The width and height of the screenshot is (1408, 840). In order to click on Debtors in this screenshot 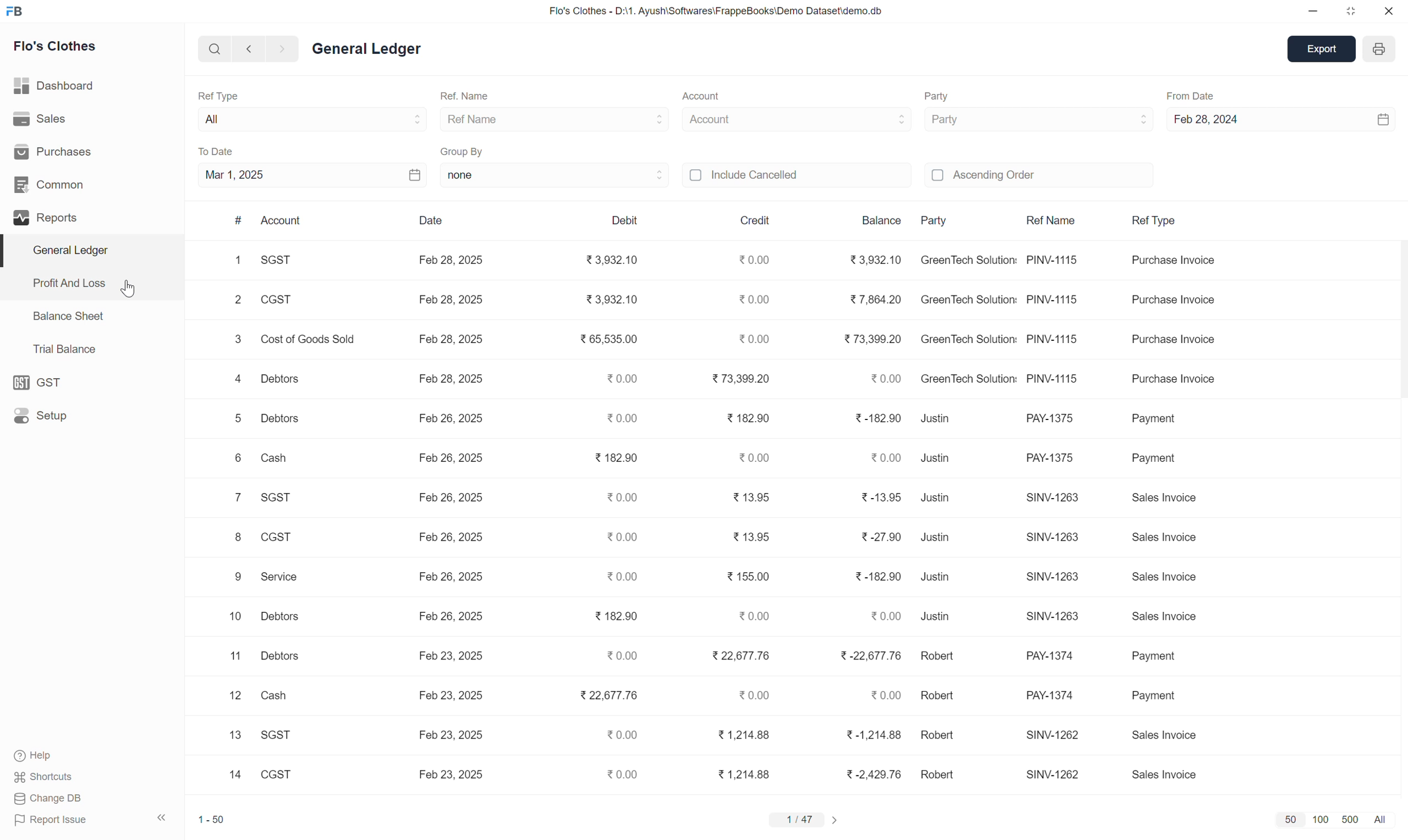, I will do `click(279, 419)`.